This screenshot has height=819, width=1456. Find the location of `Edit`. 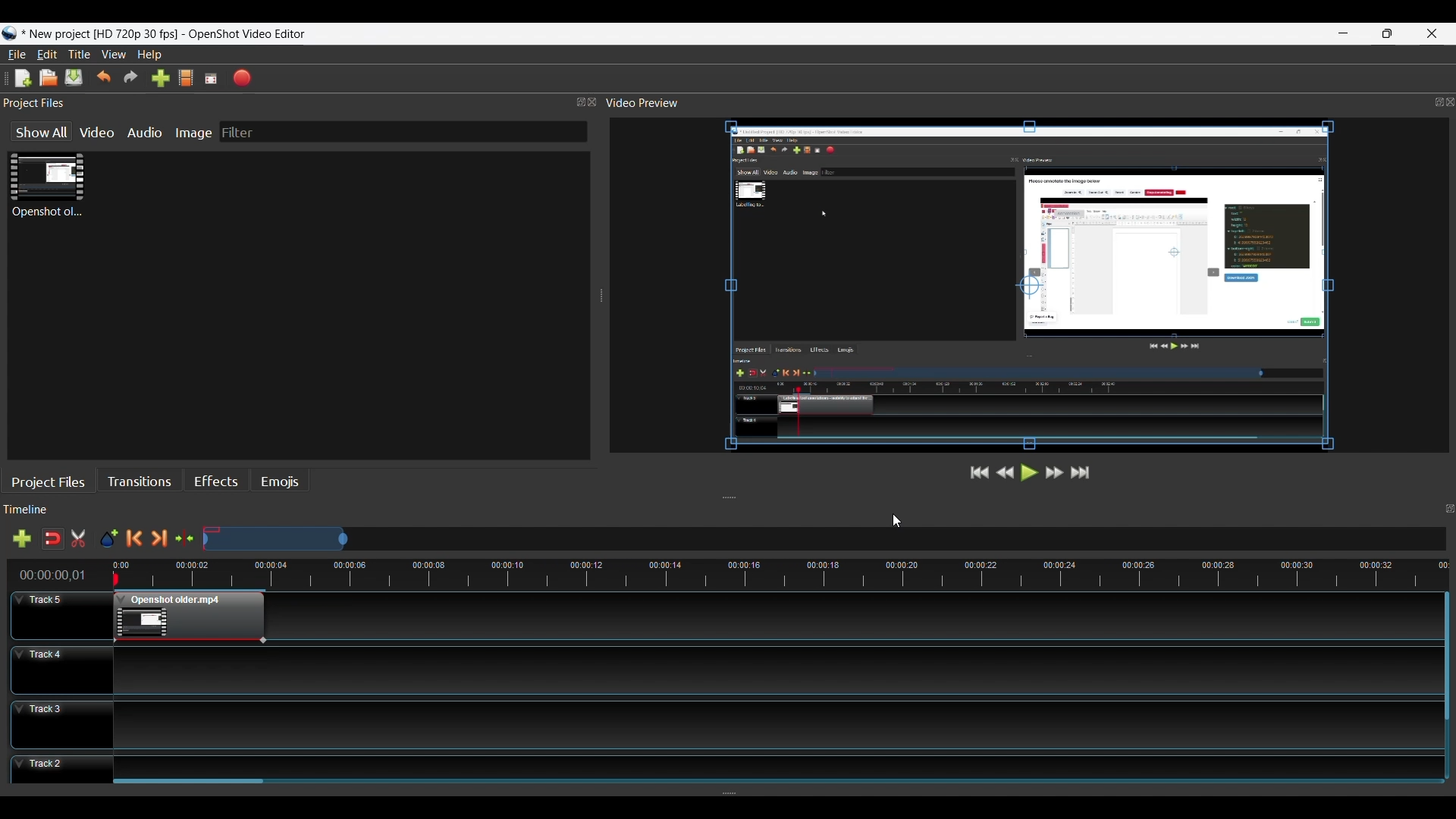

Edit is located at coordinates (47, 55).